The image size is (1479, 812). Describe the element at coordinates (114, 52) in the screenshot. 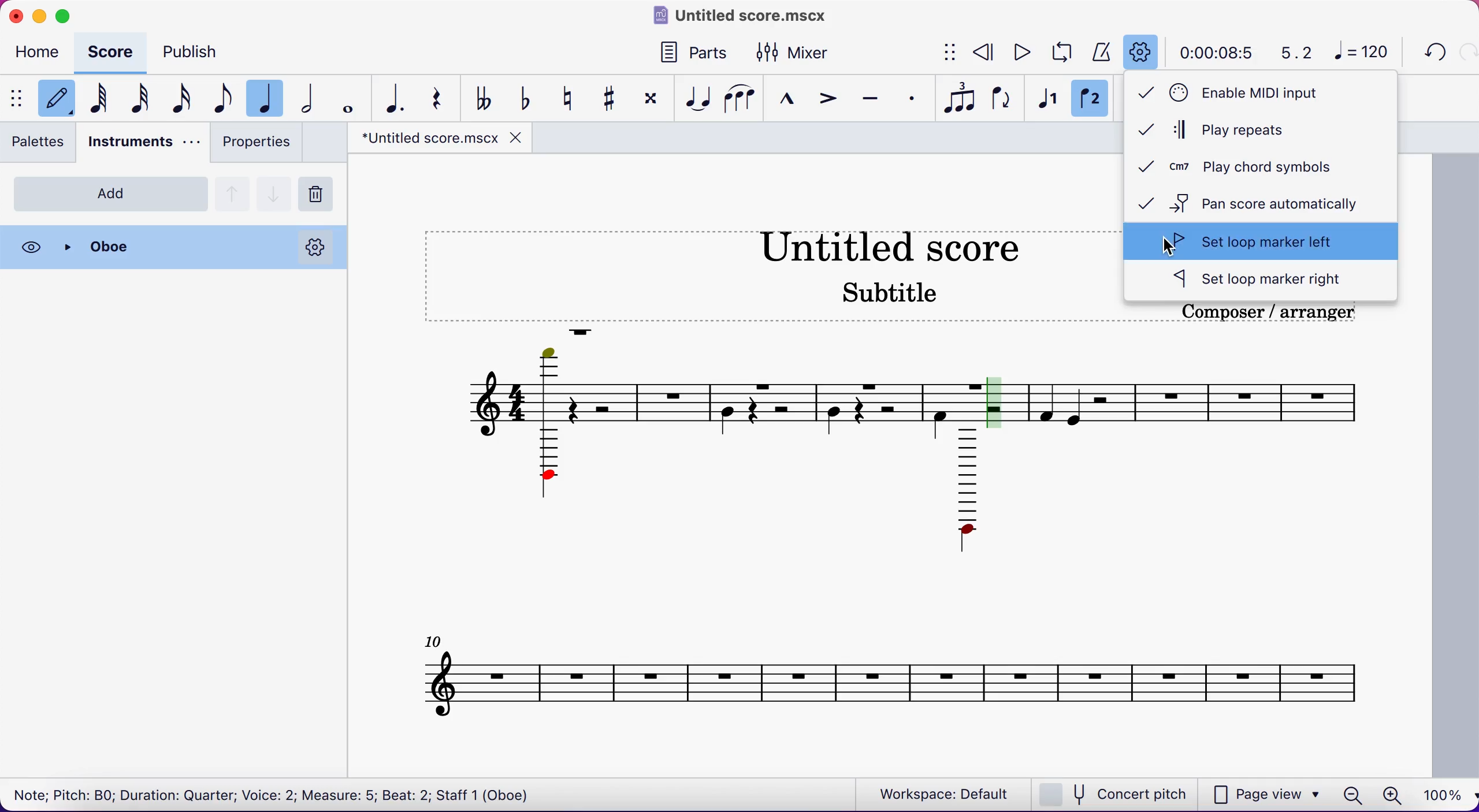

I see `score` at that location.